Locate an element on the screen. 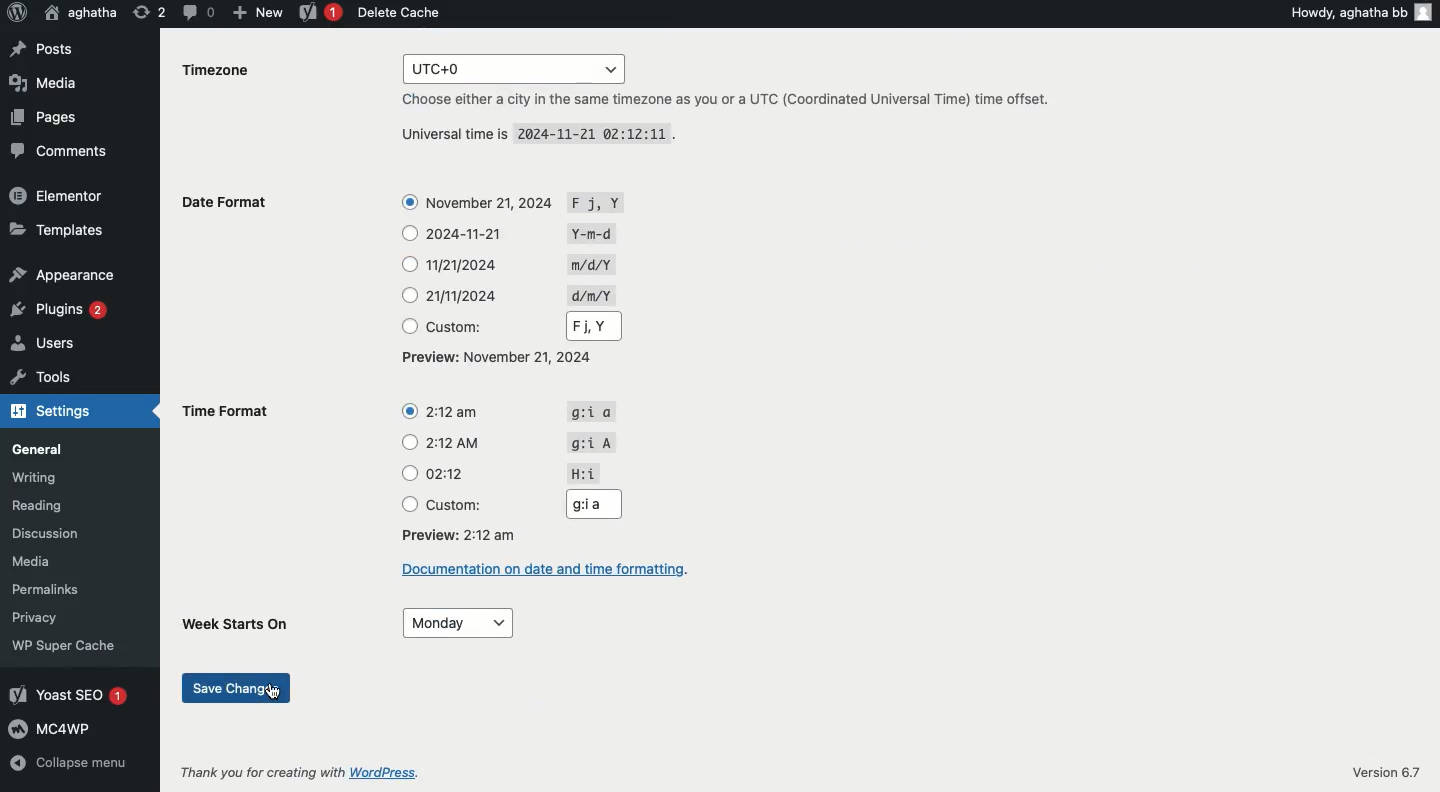 This screenshot has width=1440, height=792. Appearance is located at coordinates (63, 276).